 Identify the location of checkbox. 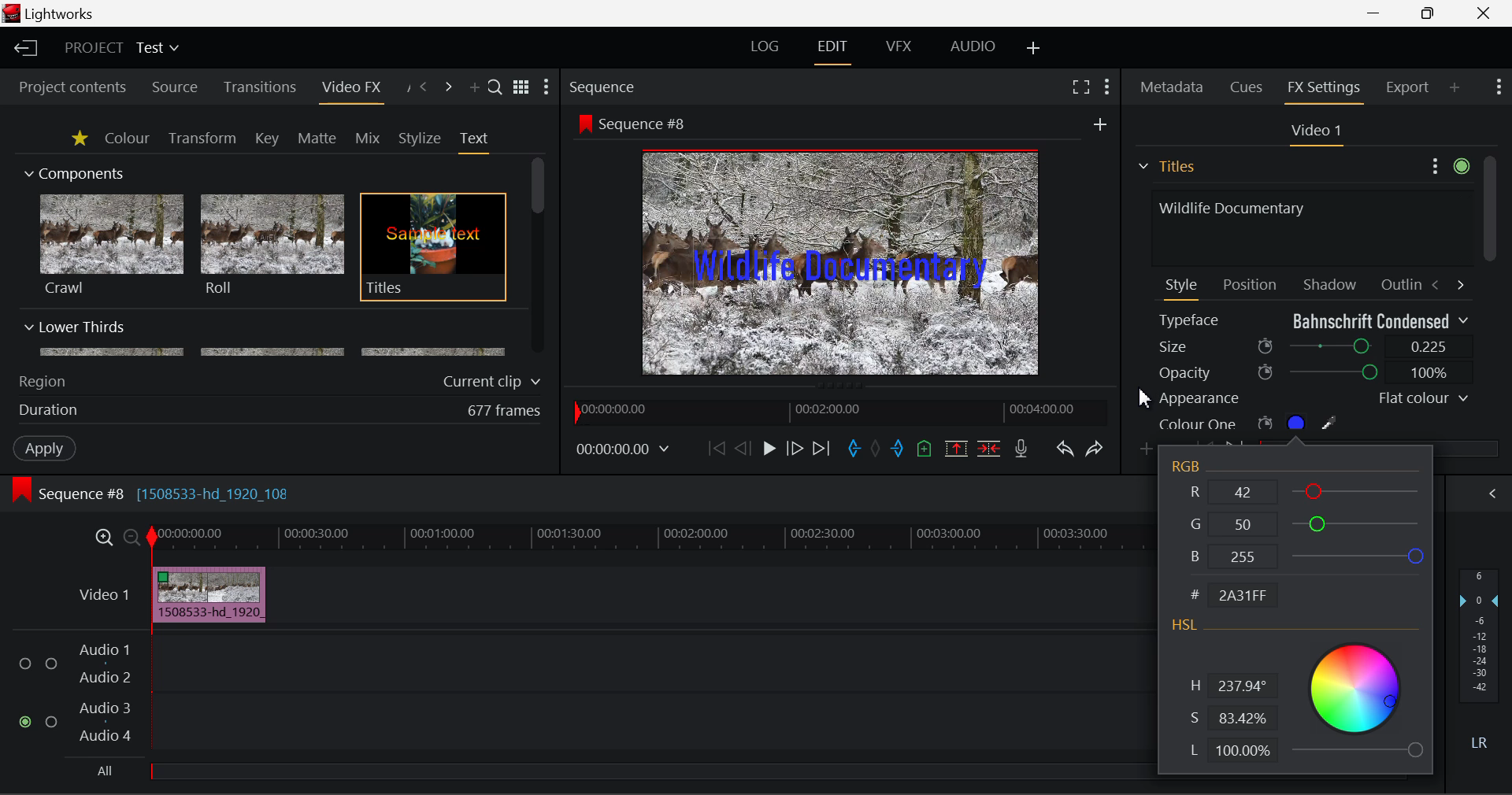
(54, 723).